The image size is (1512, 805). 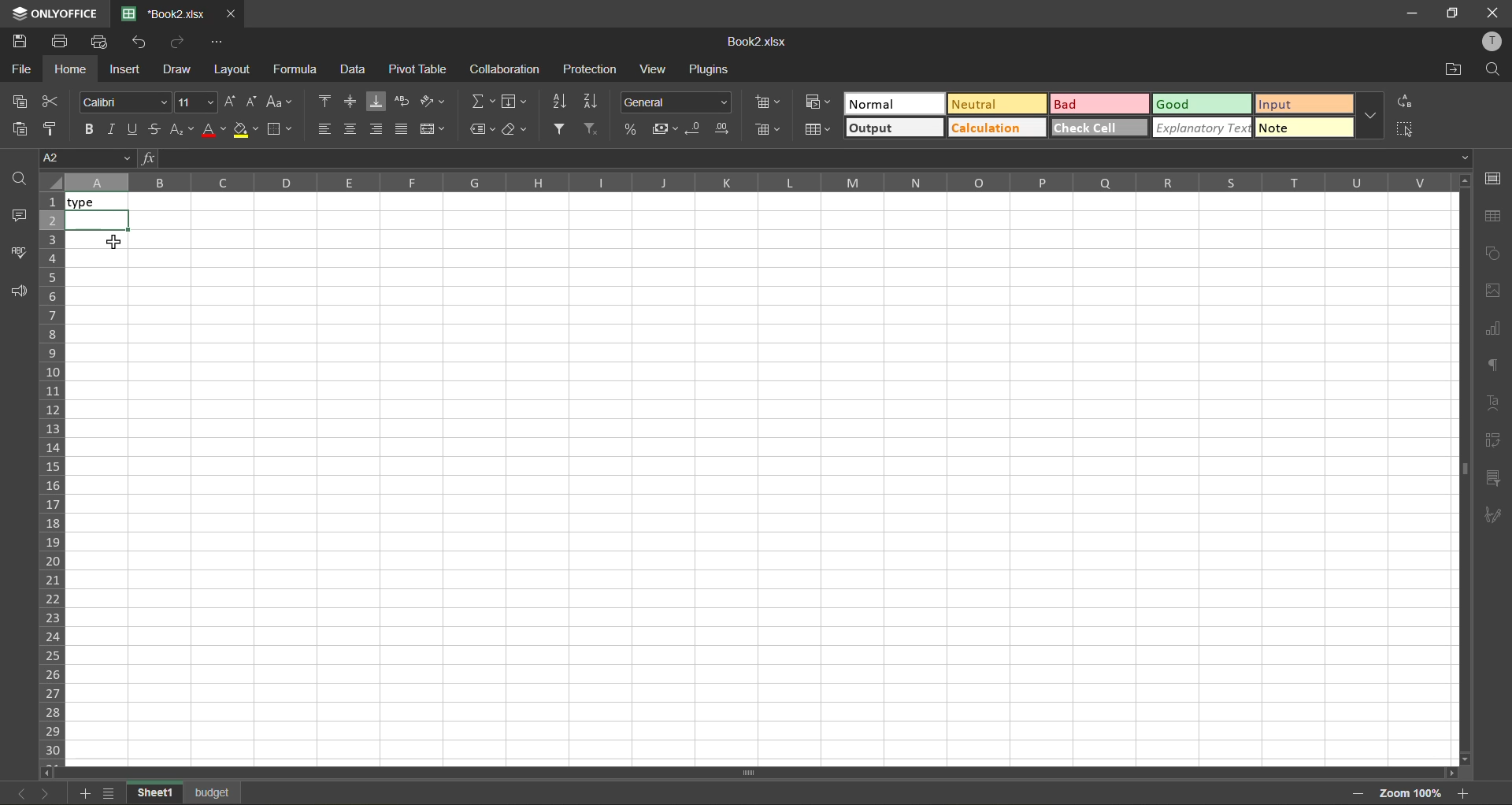 I want to click on percent, so click(x=633, y=129).